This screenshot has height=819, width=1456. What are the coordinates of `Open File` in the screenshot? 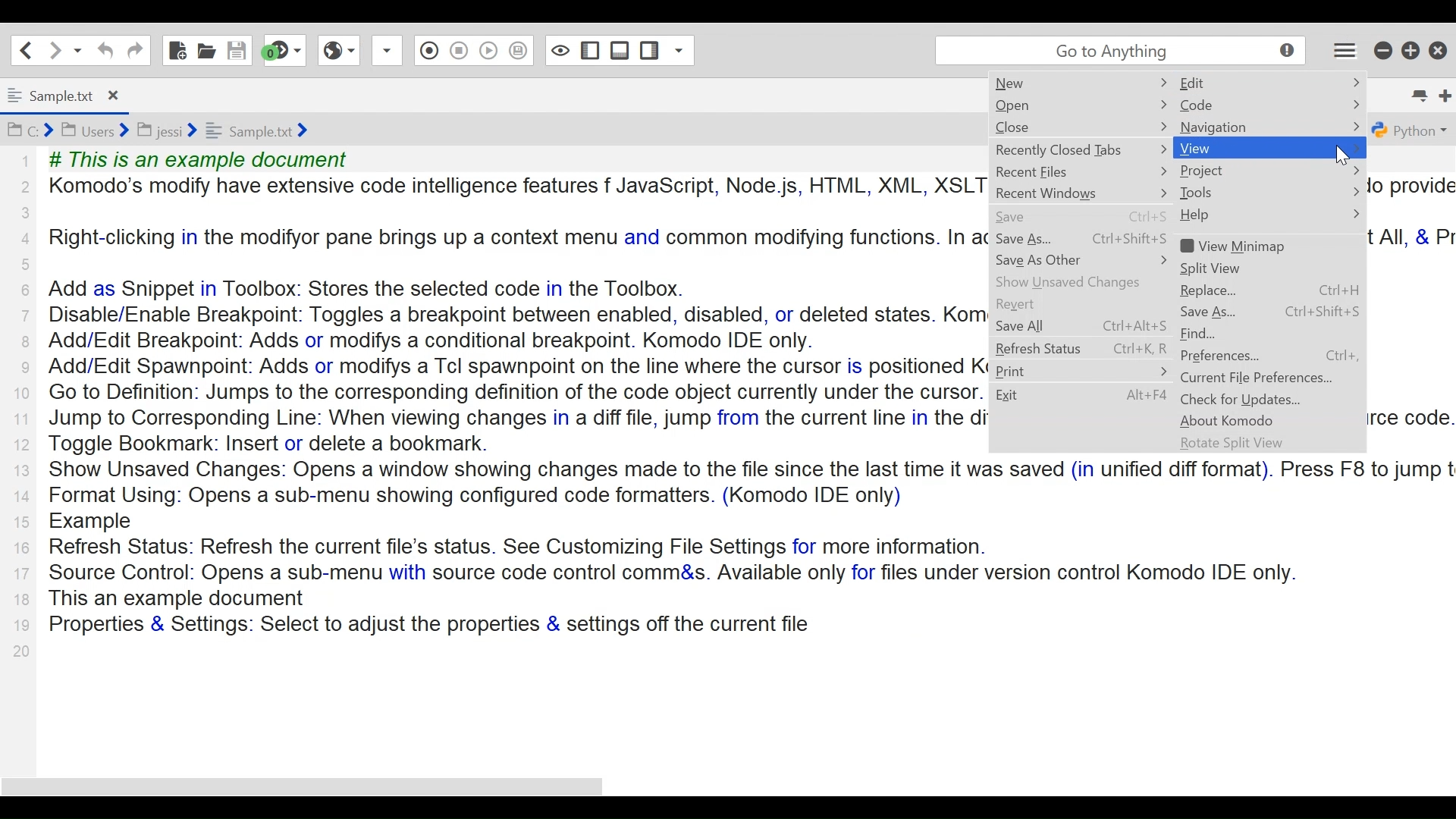 It's located at (206, 49).